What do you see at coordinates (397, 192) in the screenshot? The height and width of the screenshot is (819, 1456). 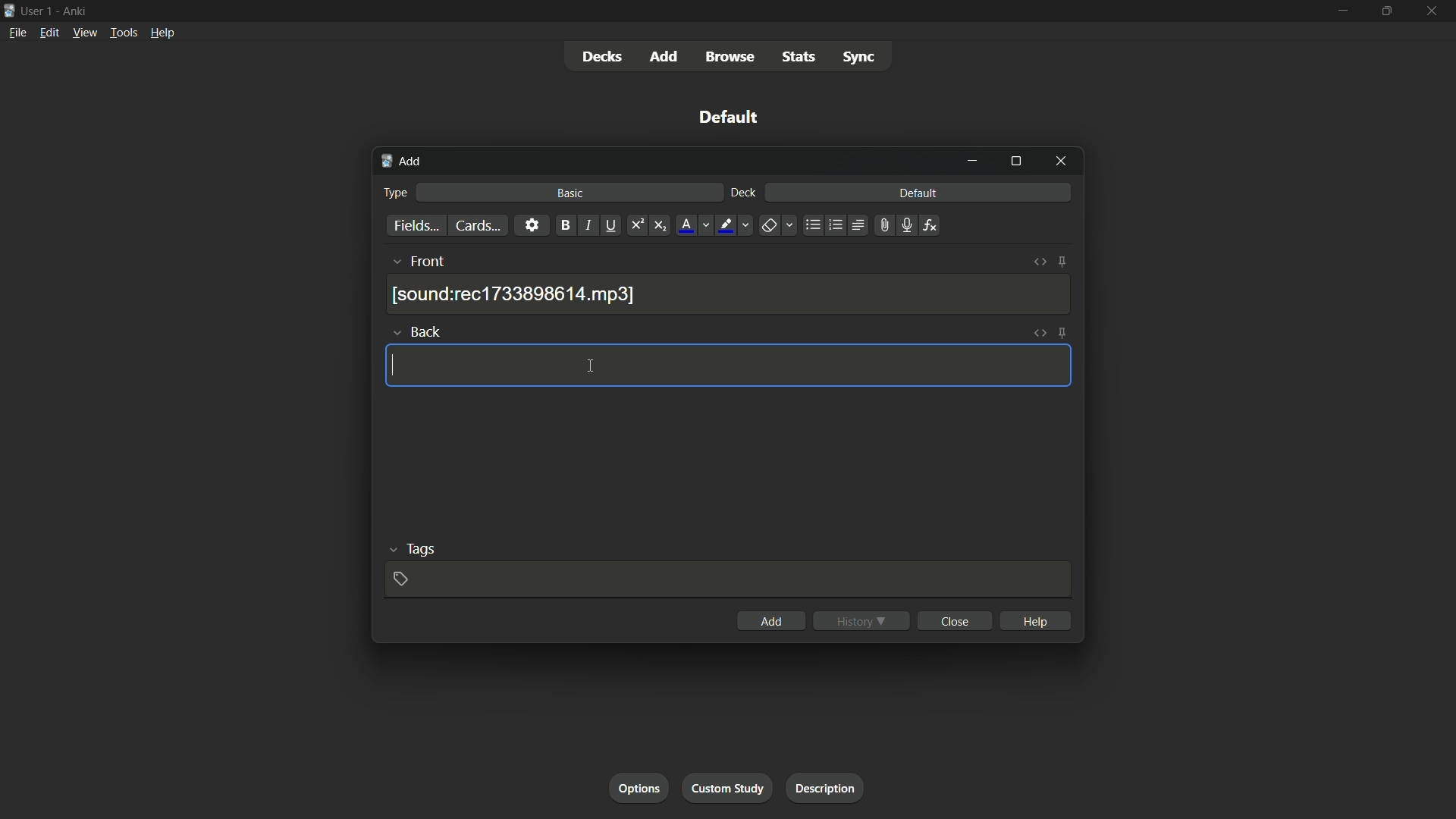 I see `type` at bounding box center [397, 192].